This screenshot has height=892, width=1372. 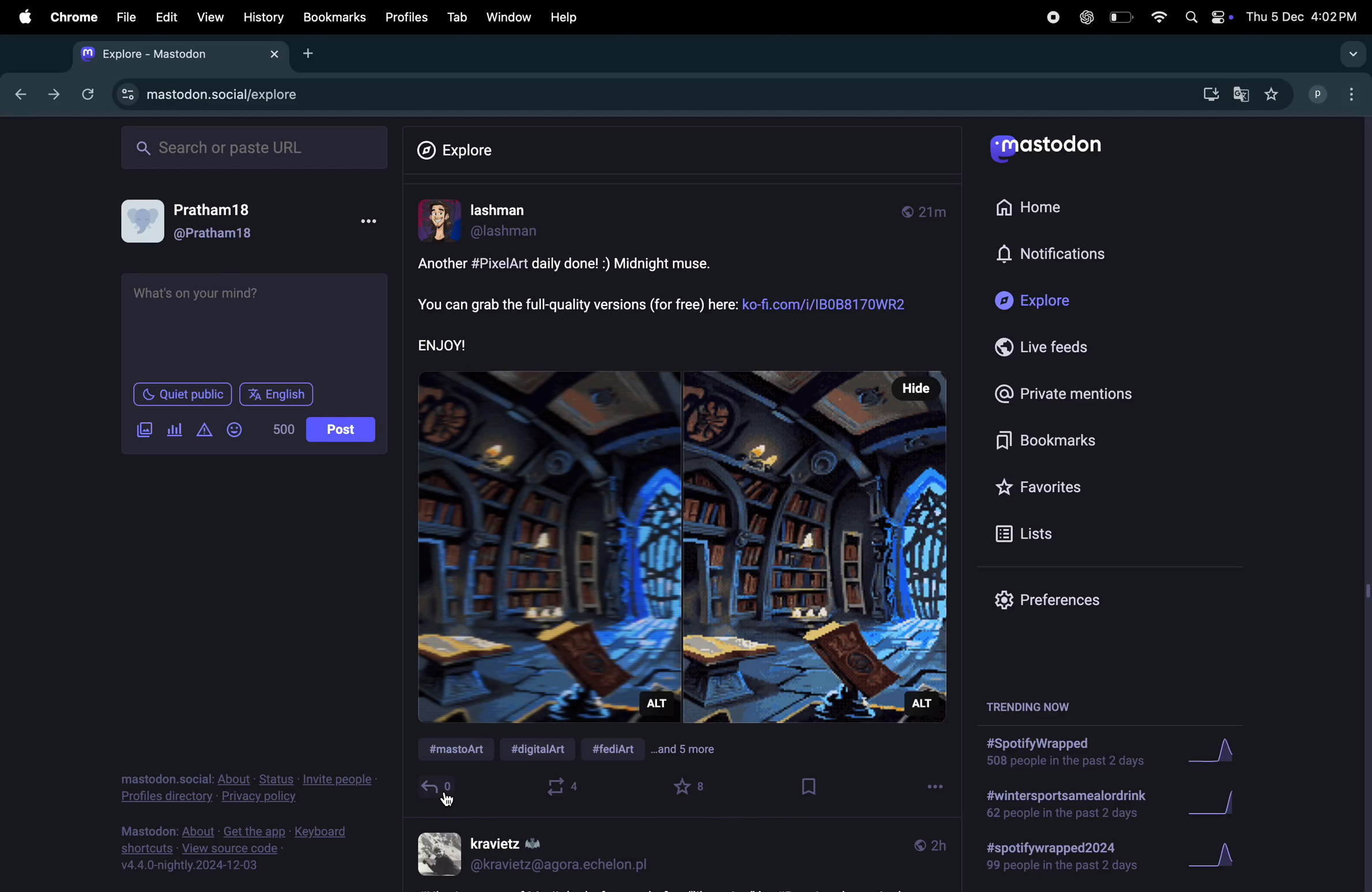 What do you see at coordinates (282, 430) in the screenshot?
I see `500 words` at bounding box center [282, 430].